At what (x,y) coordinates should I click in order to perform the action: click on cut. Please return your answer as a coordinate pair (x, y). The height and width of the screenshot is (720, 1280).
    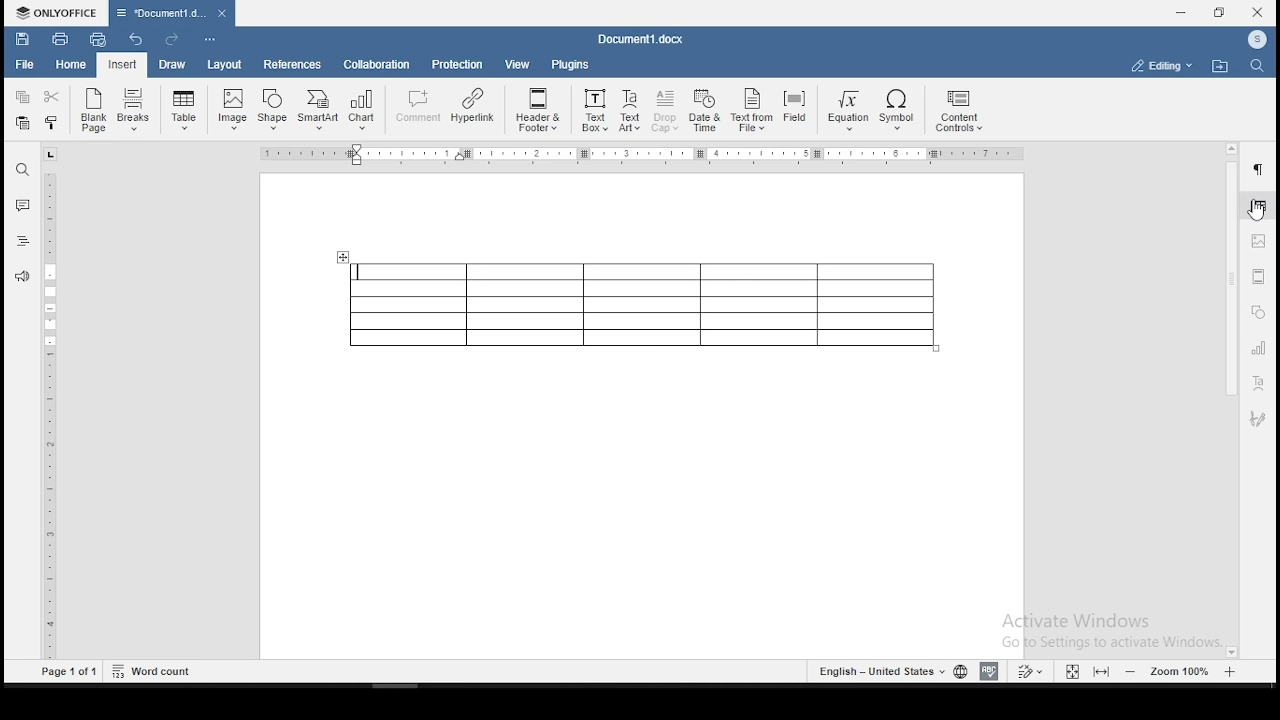
    Looking at the image, I should click on (56, 96).